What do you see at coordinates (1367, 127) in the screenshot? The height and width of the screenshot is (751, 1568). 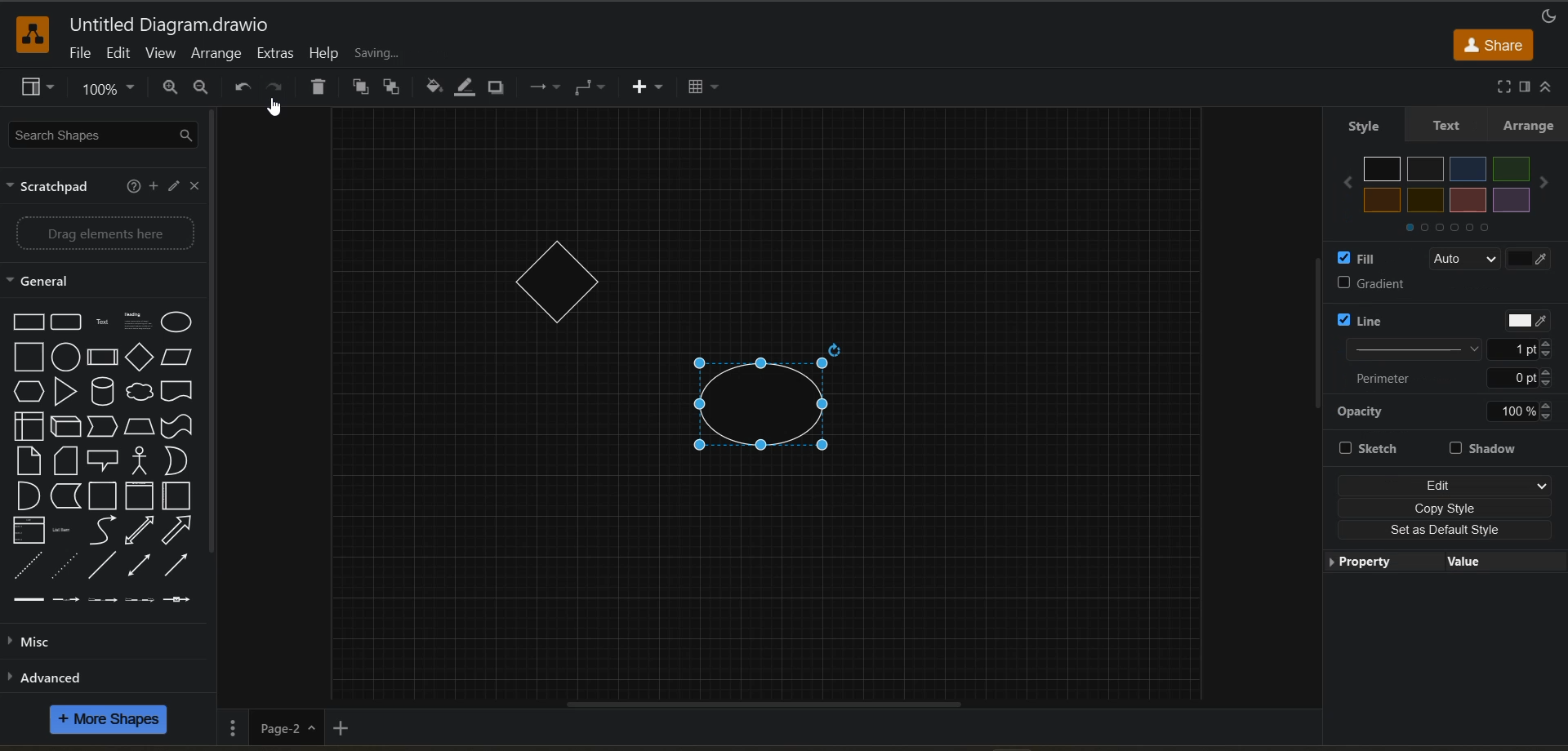 I see `style` at bounding box center [1367, 127].